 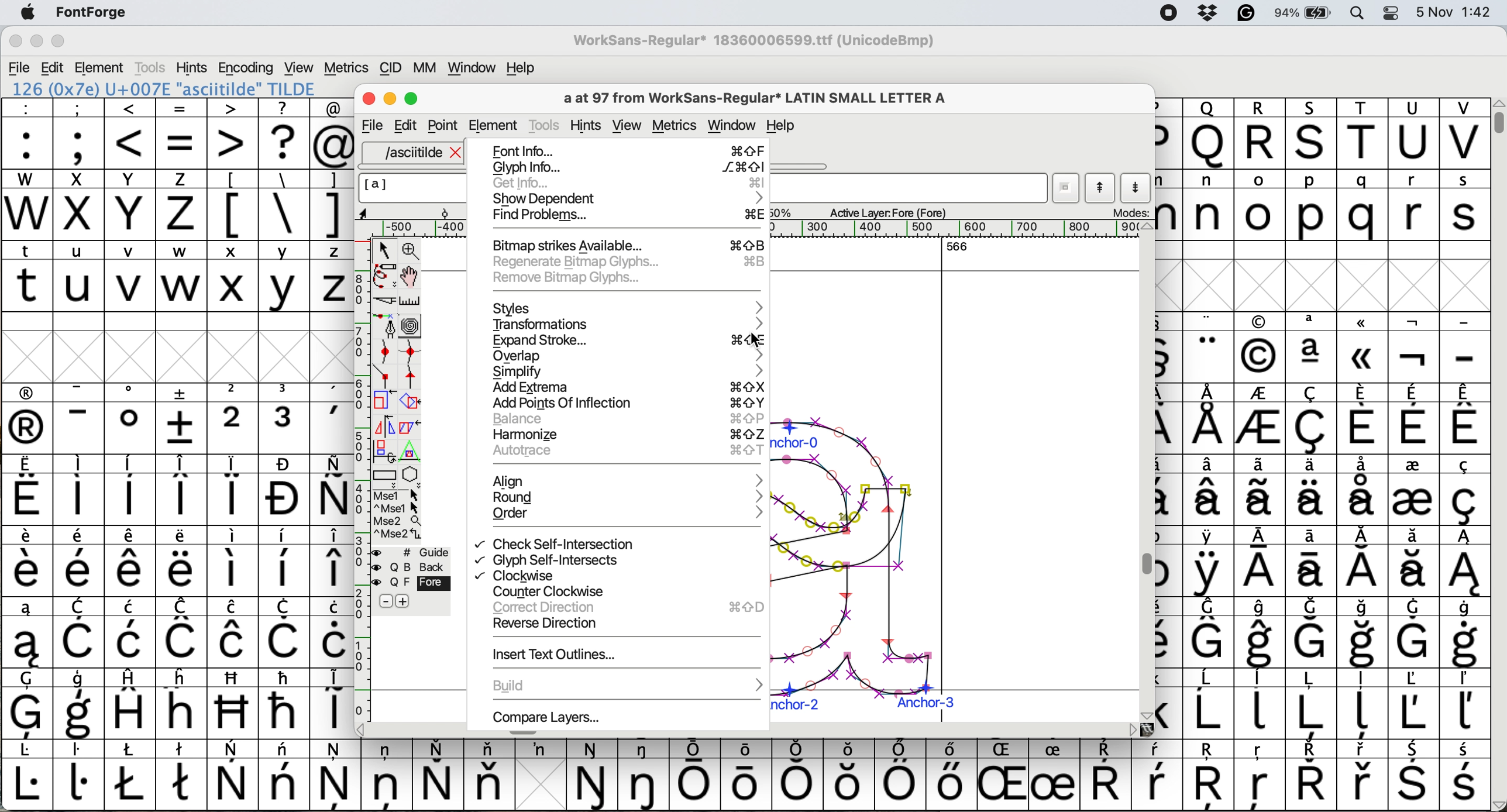 I want to click on Horizontal scale, so click(x=424, y=226).